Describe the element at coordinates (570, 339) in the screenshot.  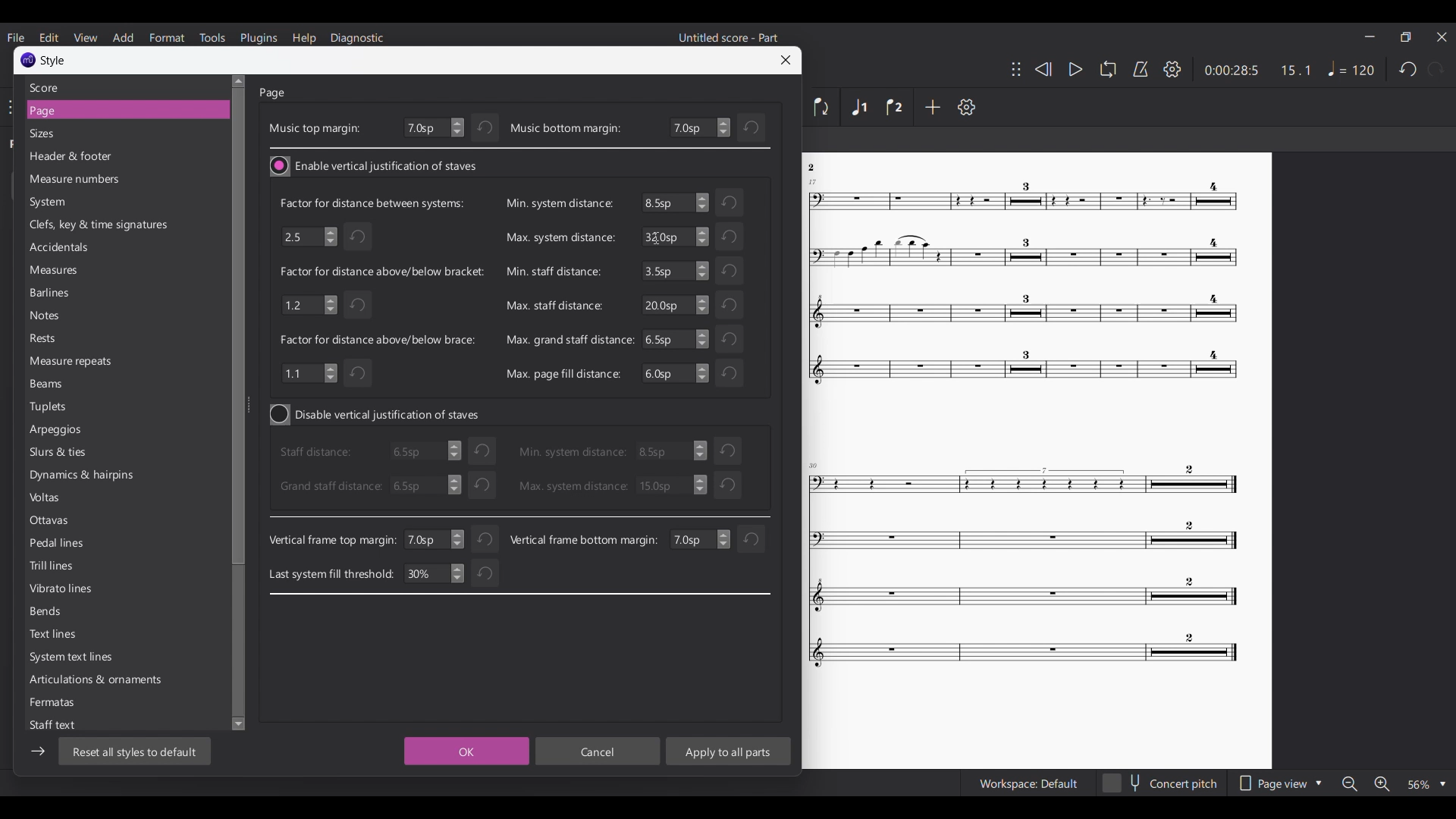
I see `Max. grand staff distance` at that location.